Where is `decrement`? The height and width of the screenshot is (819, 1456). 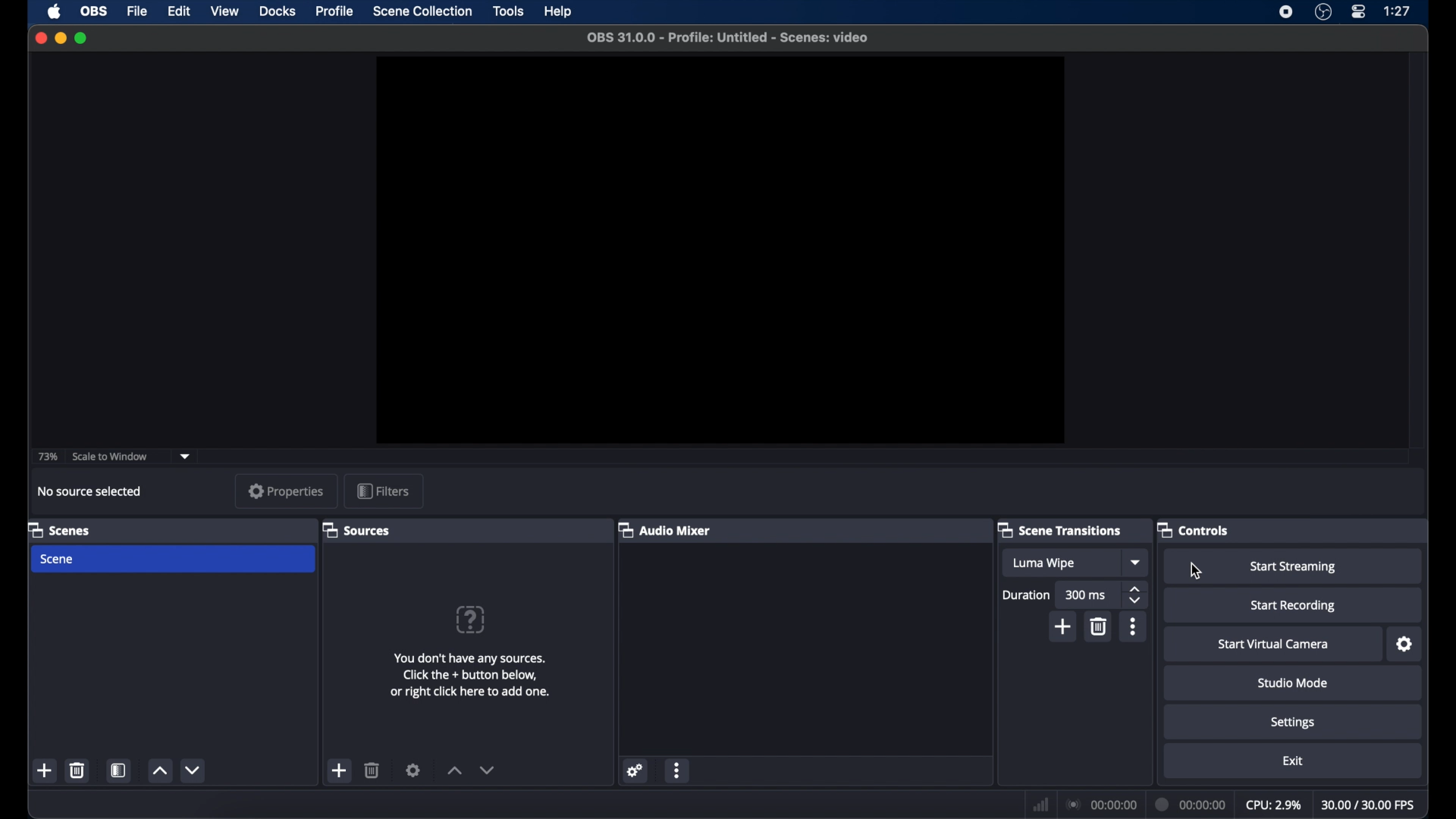 decrement is located at coordinates (488, 770).